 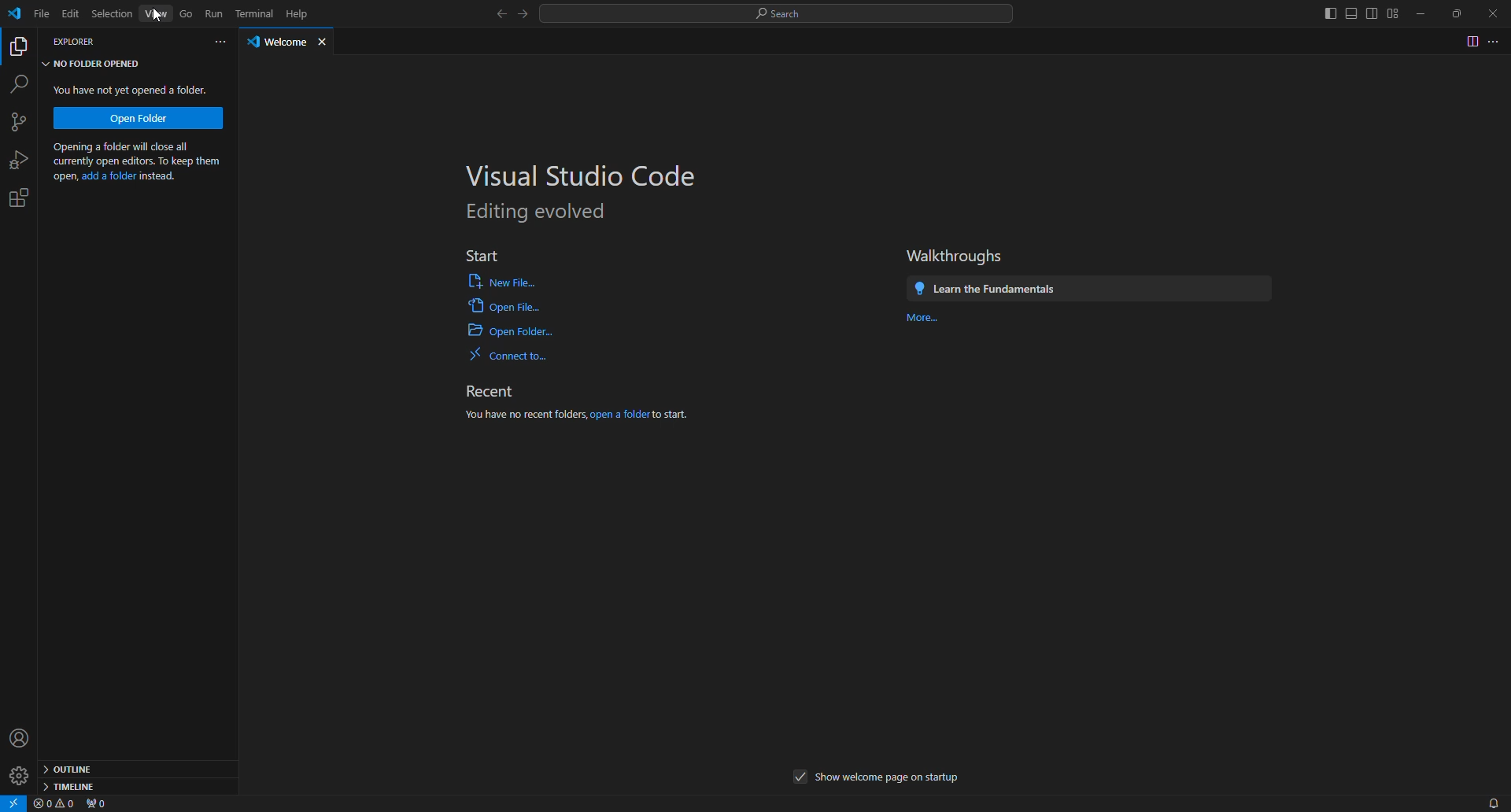 What do you see at coordinates (490, 256) in the screenshot?
I see `Start` at bounding box center [490, 256].